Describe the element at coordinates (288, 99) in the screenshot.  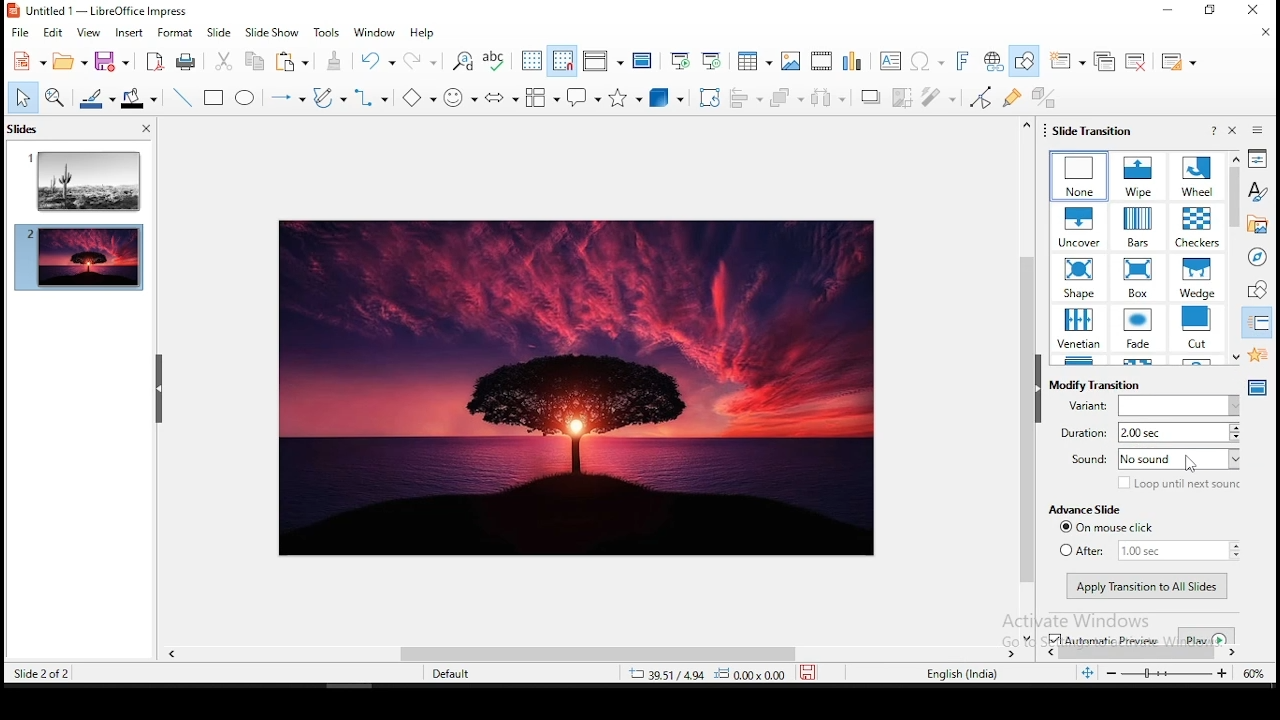
I see `lines and arrows` at that location.